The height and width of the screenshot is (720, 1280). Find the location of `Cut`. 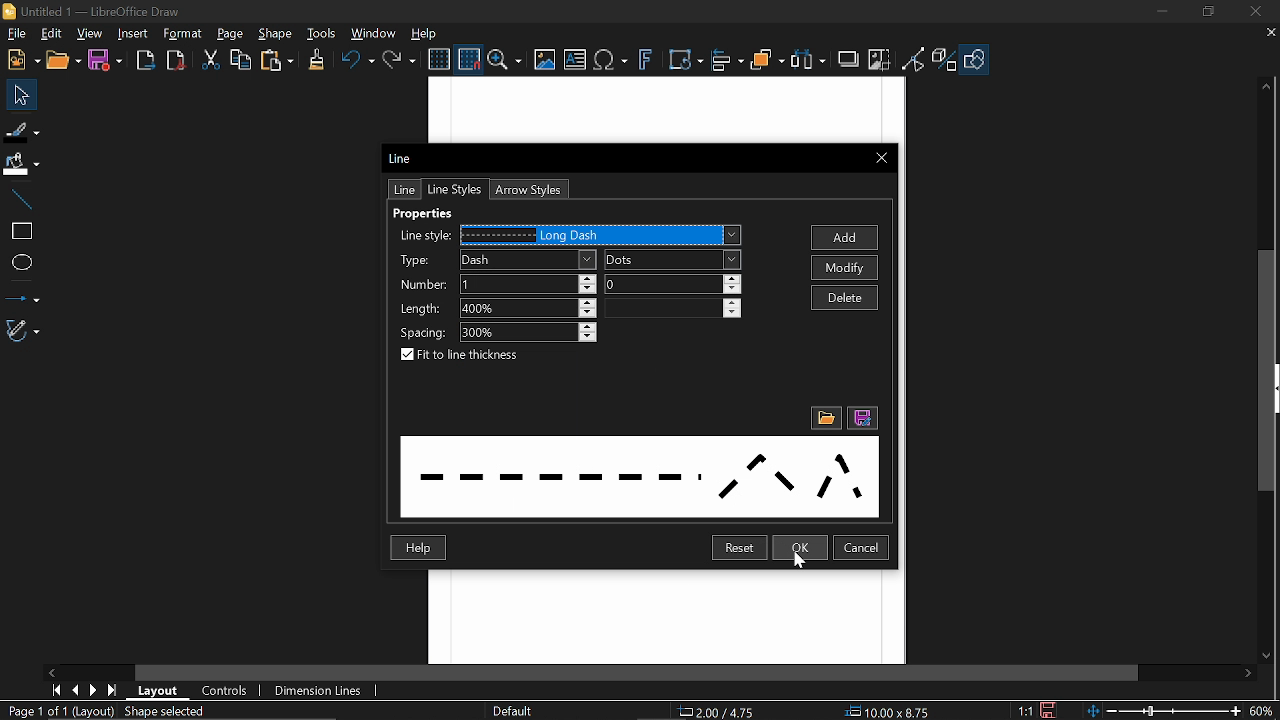

Cut is located at coordinates (212, 61).